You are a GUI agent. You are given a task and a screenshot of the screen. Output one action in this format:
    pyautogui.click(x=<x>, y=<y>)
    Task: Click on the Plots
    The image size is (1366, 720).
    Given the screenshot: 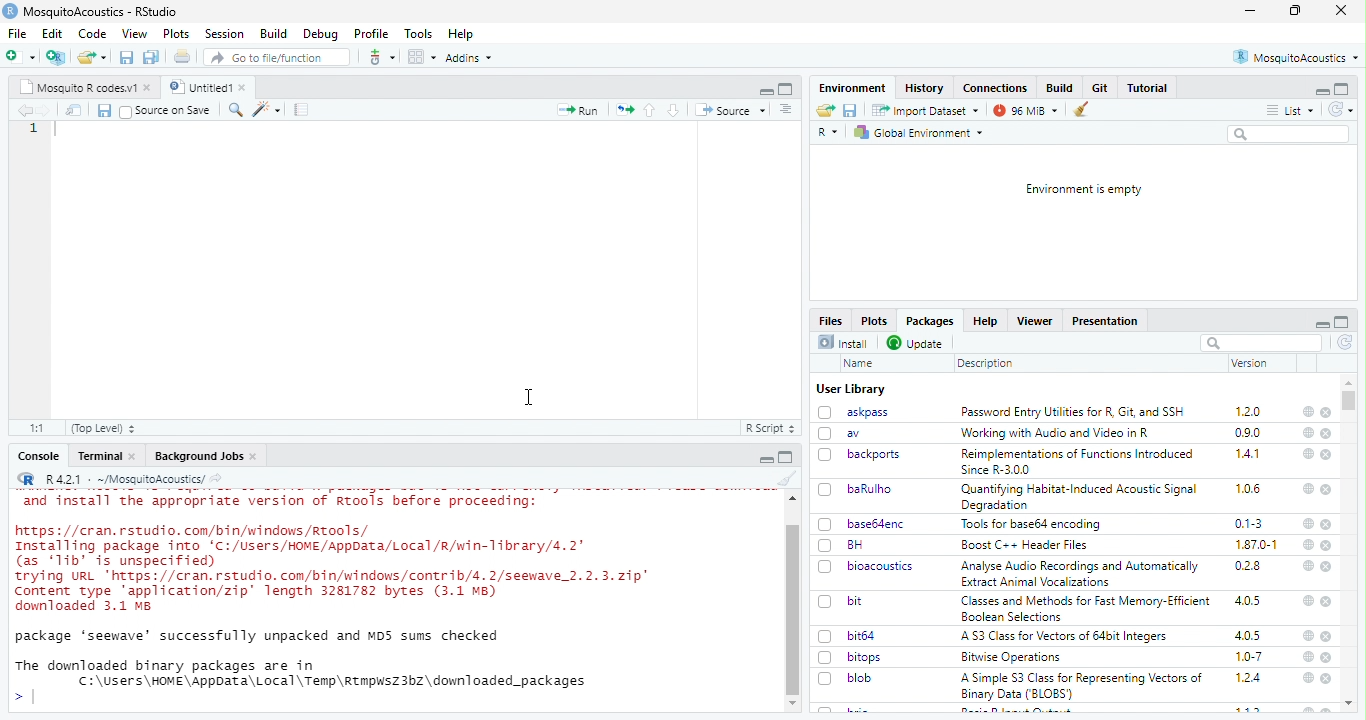 What is the action you would take?
    pyautogui.click(x=178, y=34)
    